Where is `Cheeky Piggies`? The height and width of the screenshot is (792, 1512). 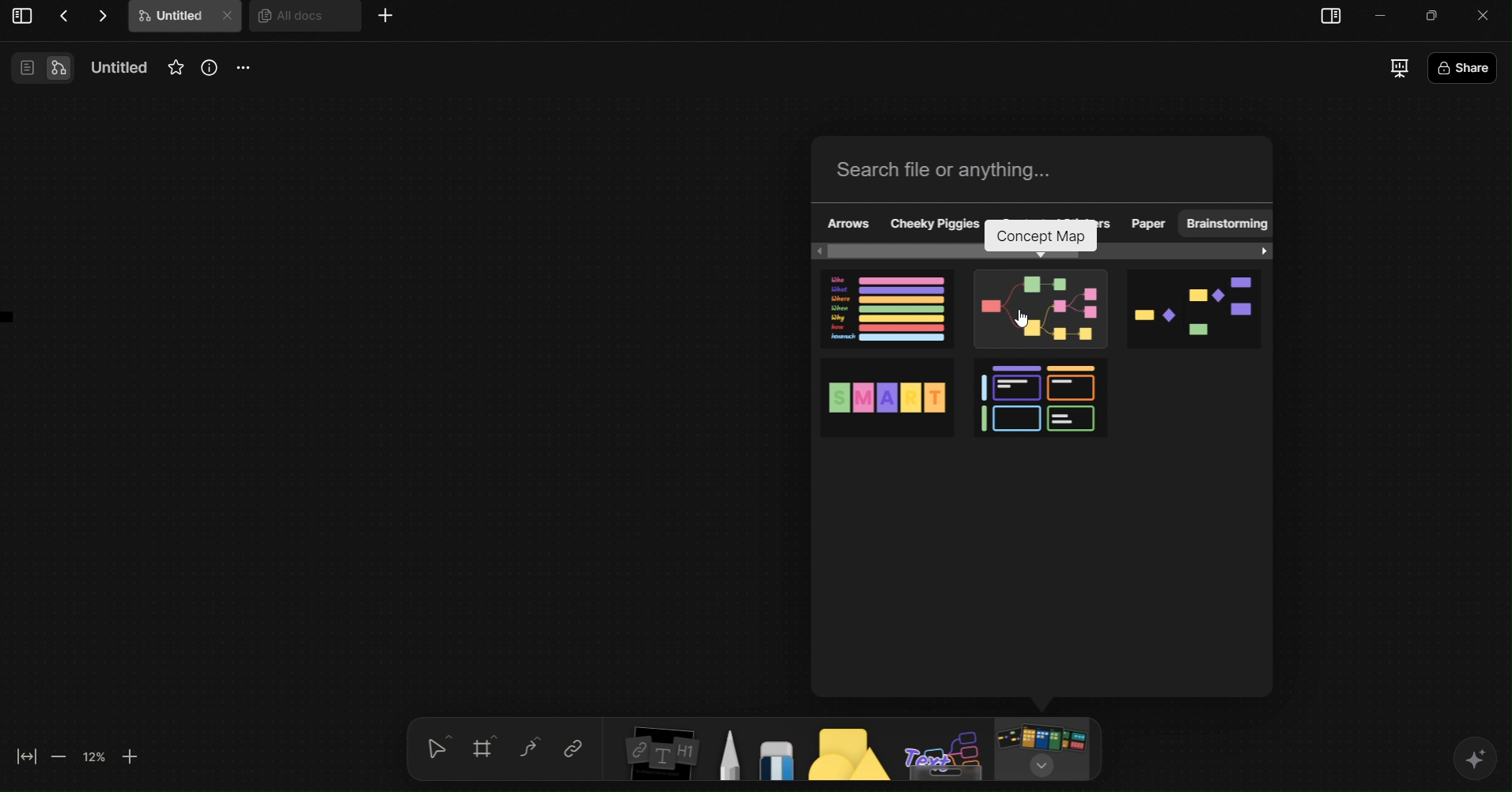 Cheeky Piggies is located at coordinates (938, 225).